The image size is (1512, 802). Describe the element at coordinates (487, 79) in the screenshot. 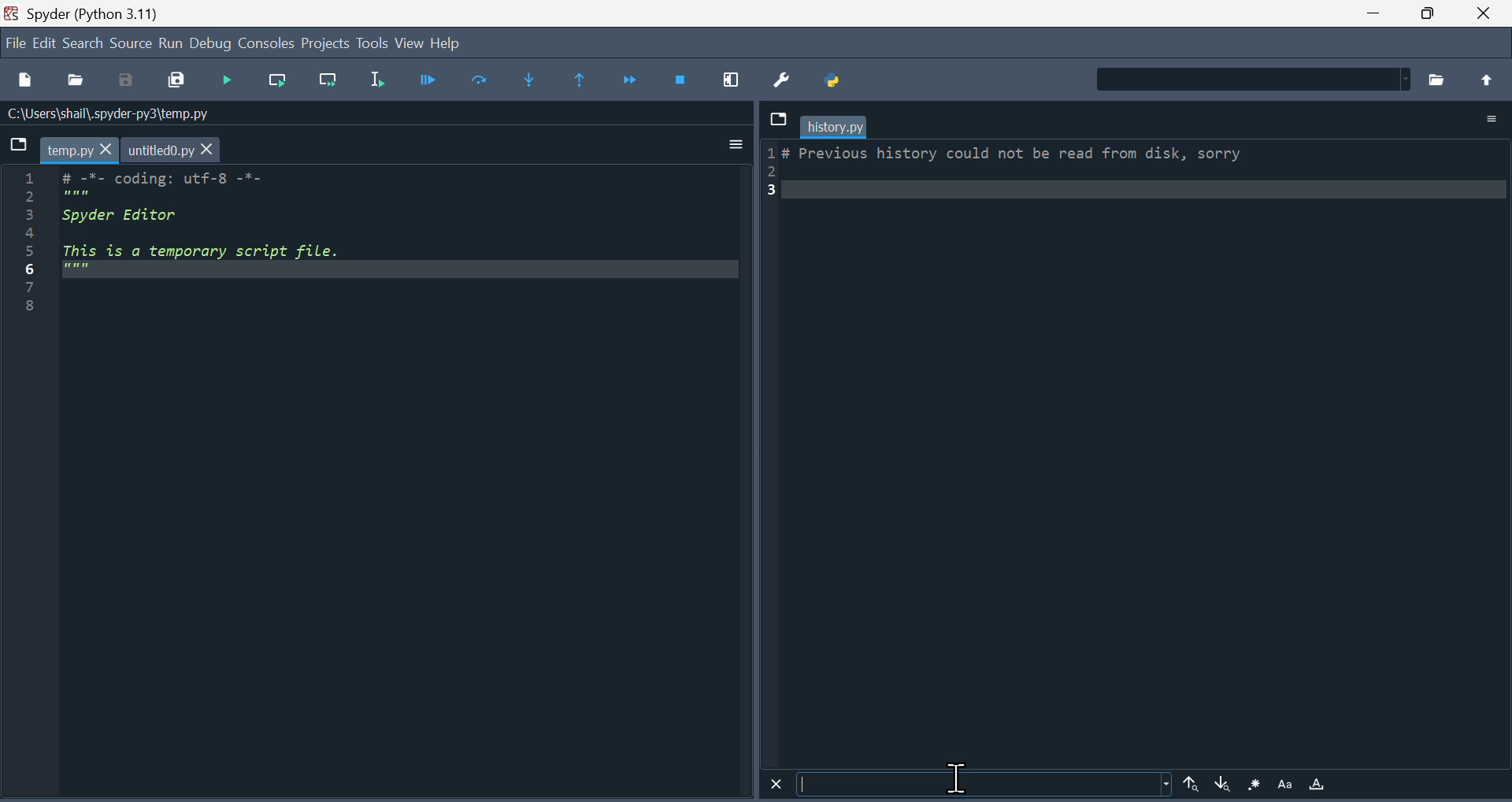

I see `Run cell` at that location.